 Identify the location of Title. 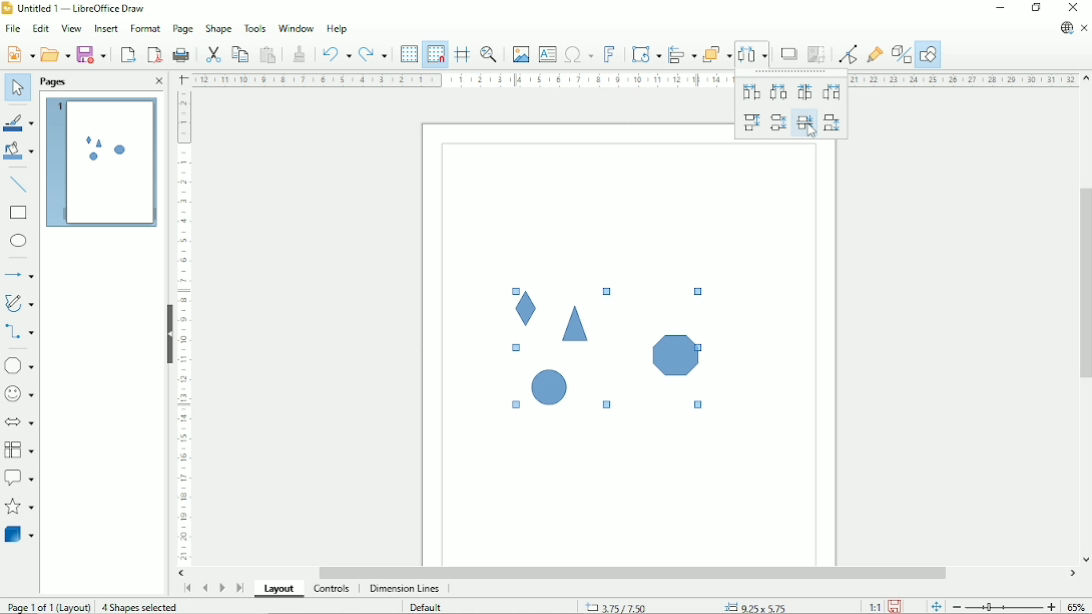
(78, 9).